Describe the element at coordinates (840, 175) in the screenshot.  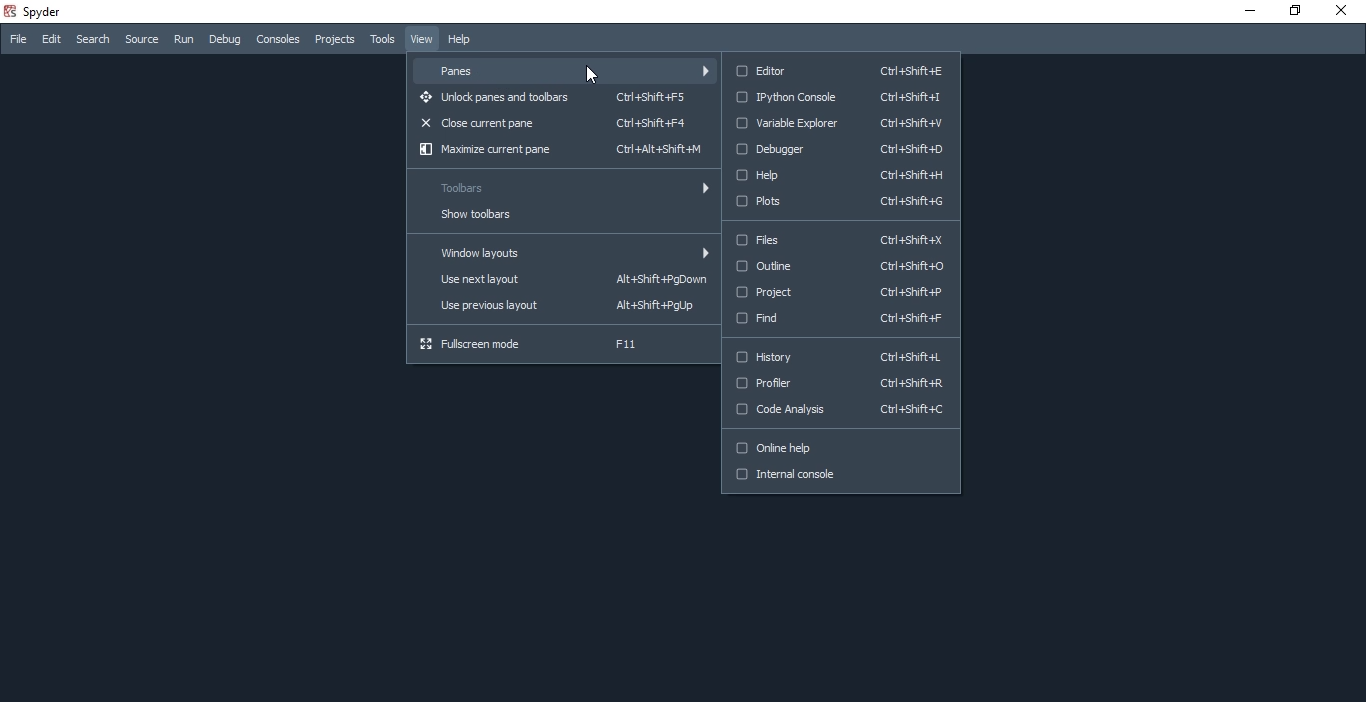
I see `Help` at that location.